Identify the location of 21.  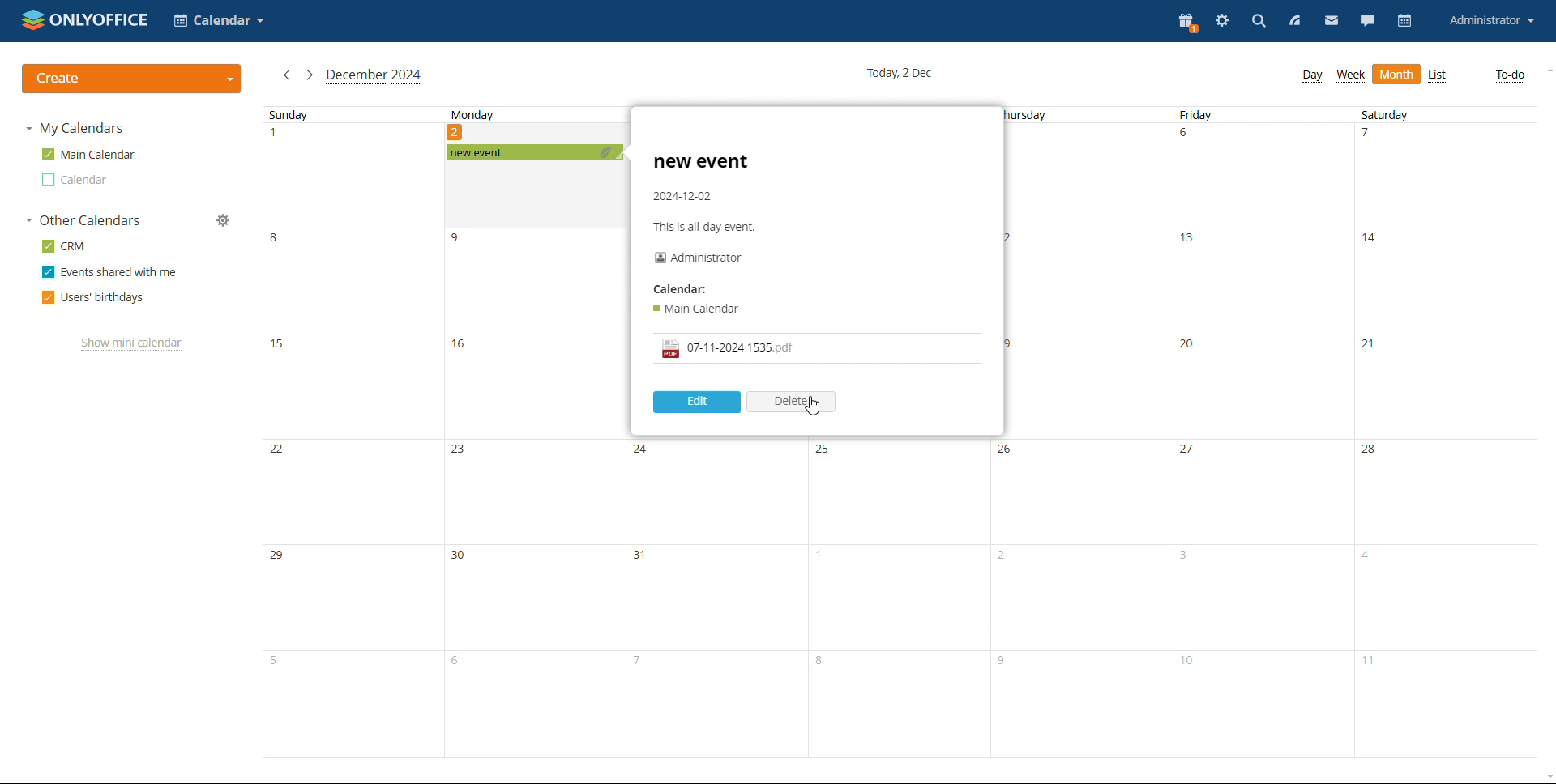
(1371, 347).